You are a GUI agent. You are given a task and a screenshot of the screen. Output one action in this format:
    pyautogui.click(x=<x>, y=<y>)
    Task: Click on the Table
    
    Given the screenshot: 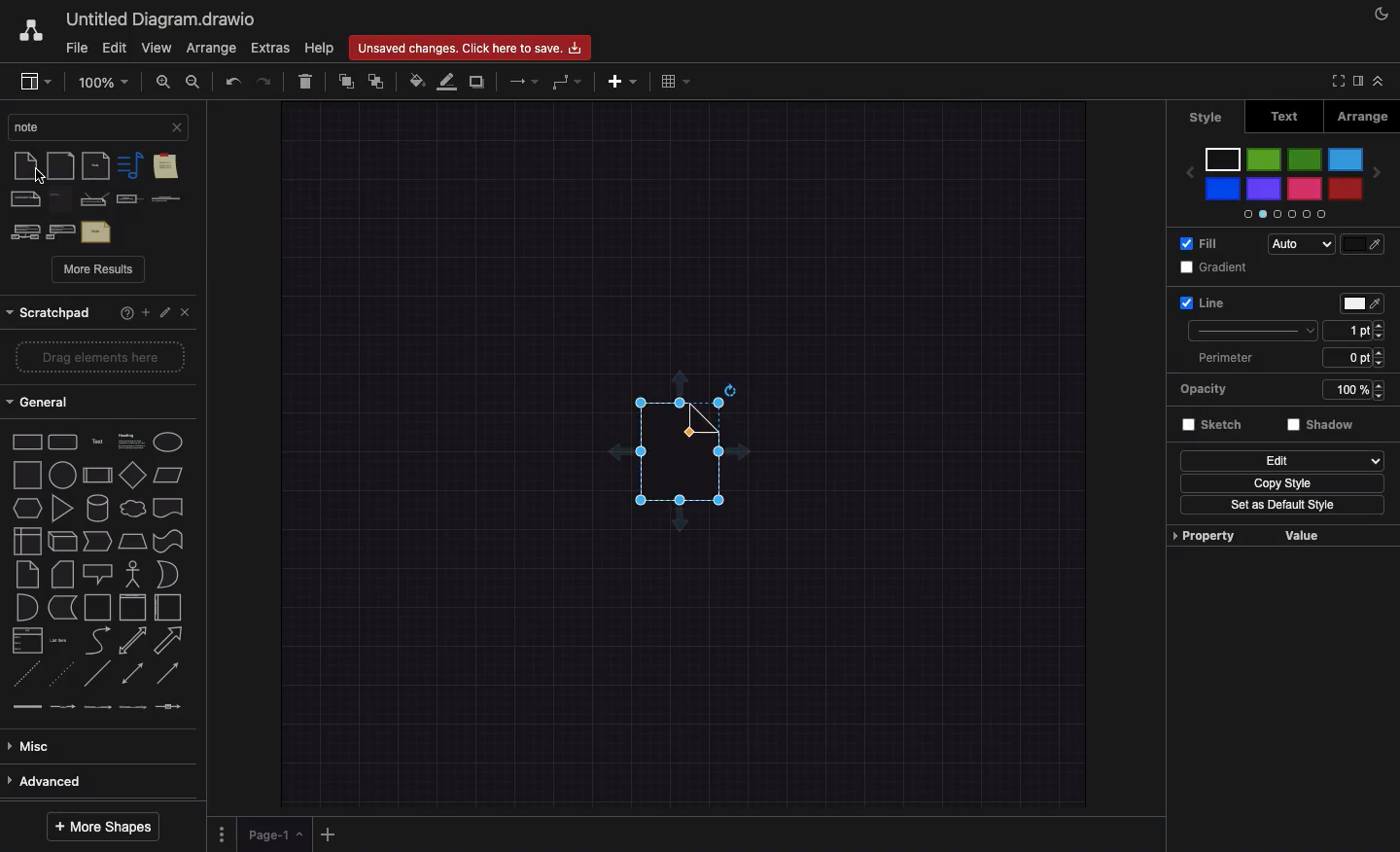 What is the action you would take?
    pyautogui.click(x=675, y=80)
    